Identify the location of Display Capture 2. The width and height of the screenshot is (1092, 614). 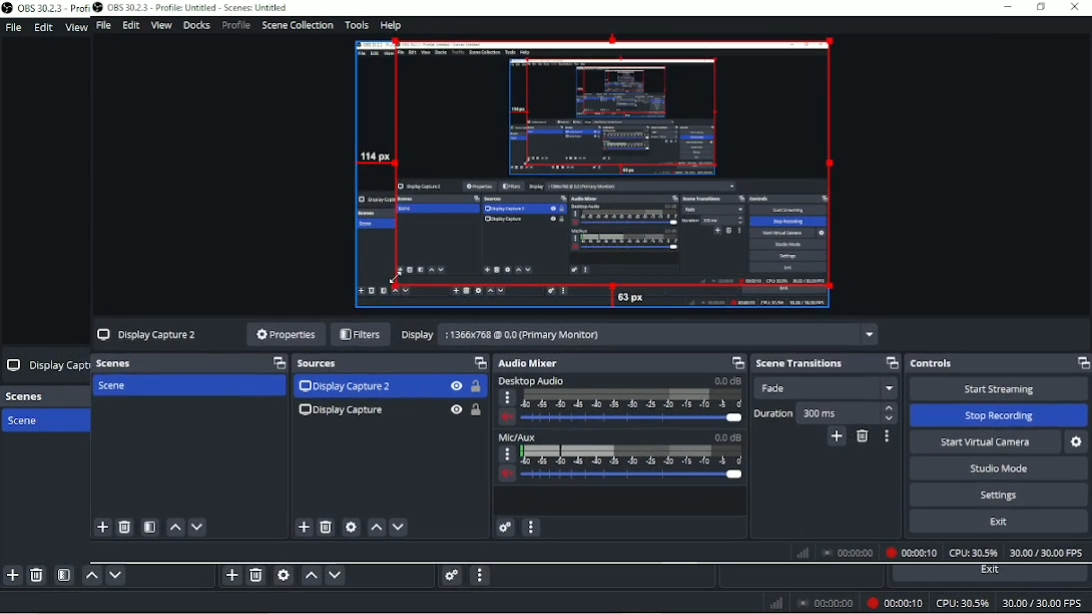
(348, 387).